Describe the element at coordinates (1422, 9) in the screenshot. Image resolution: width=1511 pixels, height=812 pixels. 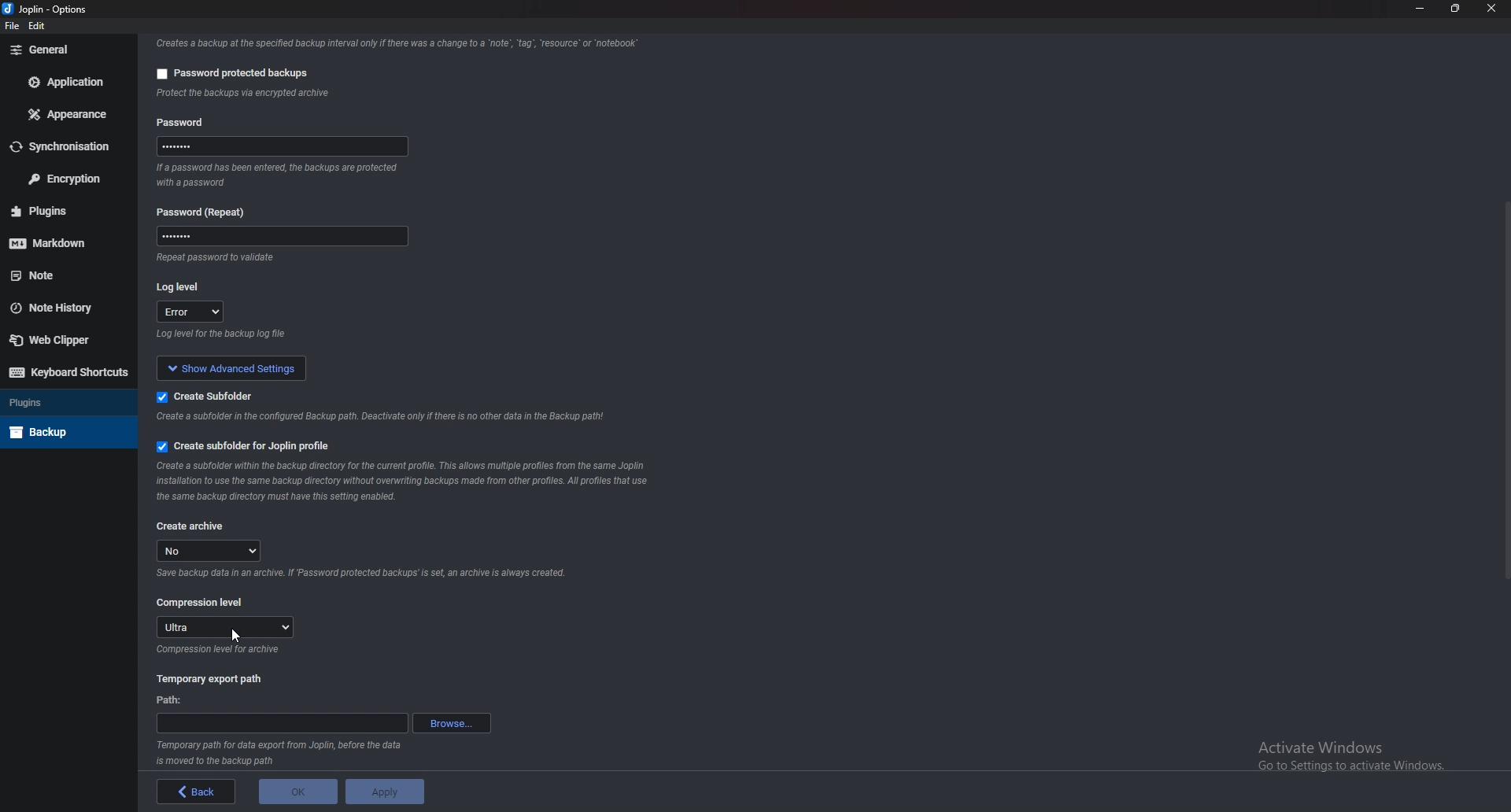
I see `Minimize` at that location.